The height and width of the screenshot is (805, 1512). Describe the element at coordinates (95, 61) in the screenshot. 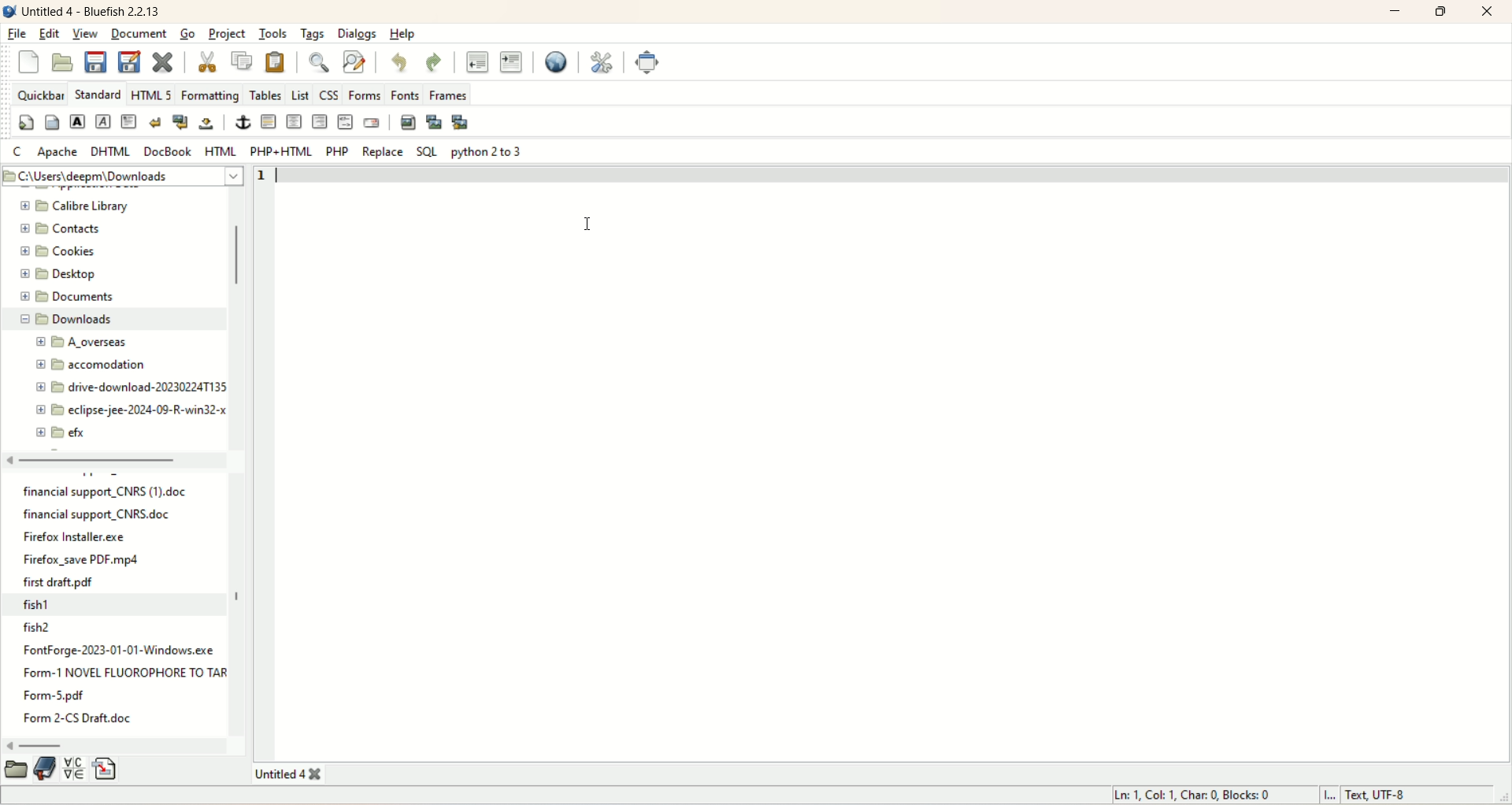

I see `save current file` at that location.